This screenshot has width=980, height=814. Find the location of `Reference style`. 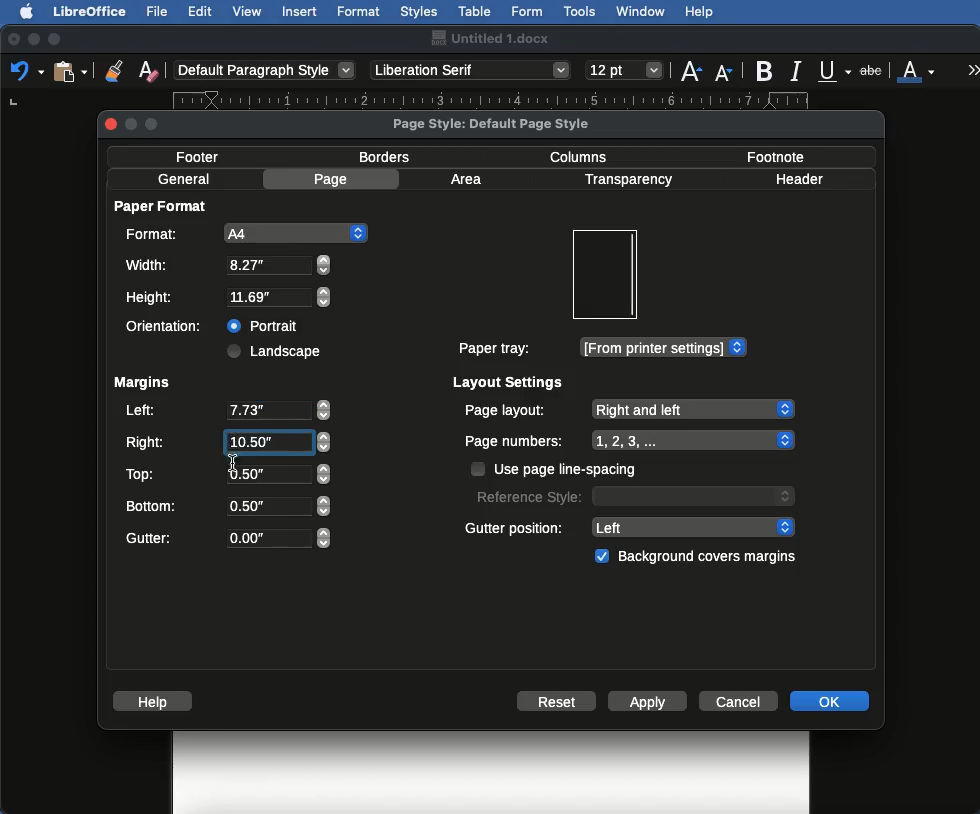

Reference style is located at coordinates (633, 495).